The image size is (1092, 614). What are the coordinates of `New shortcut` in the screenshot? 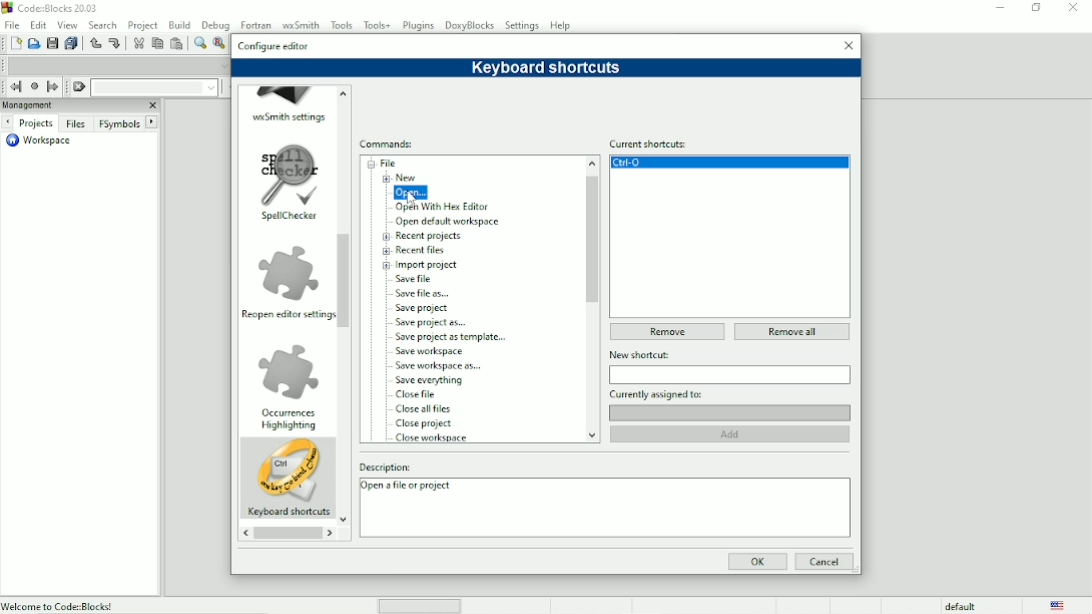 It's located at (730, 355).